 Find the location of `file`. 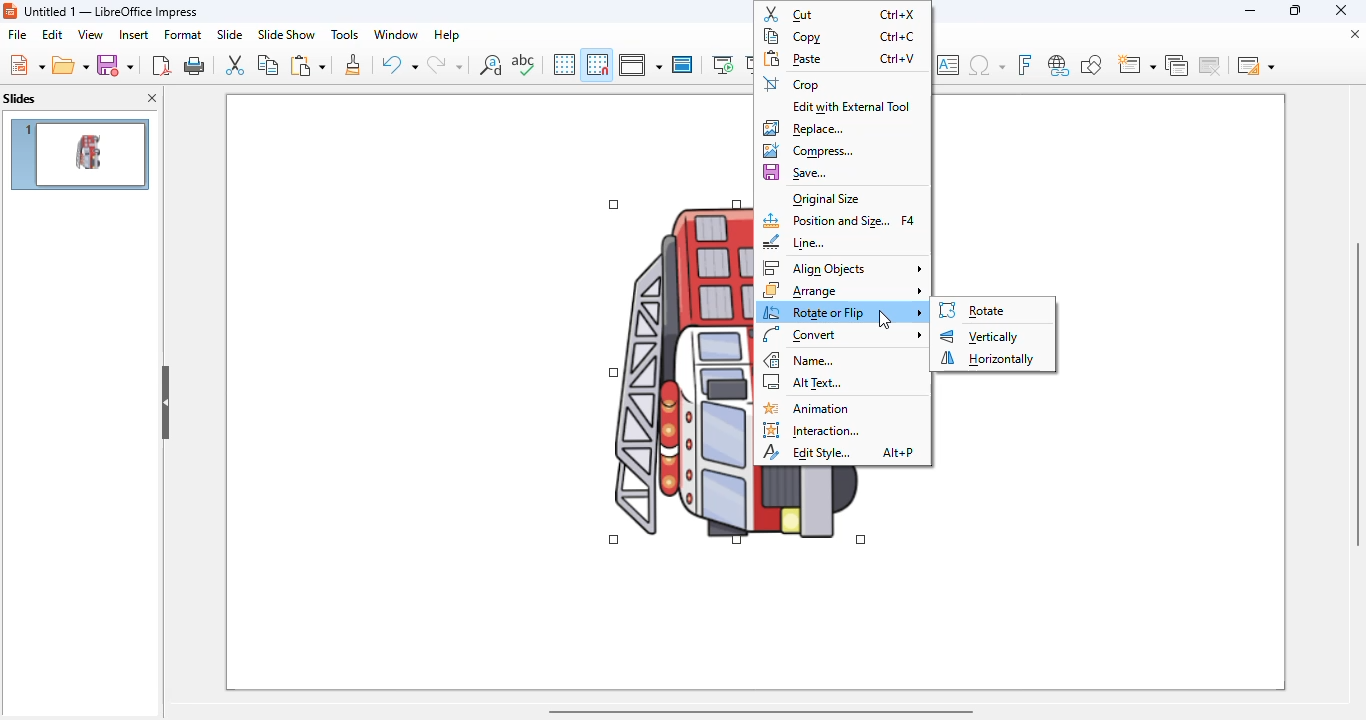

file is located at coordinates (18, 34).